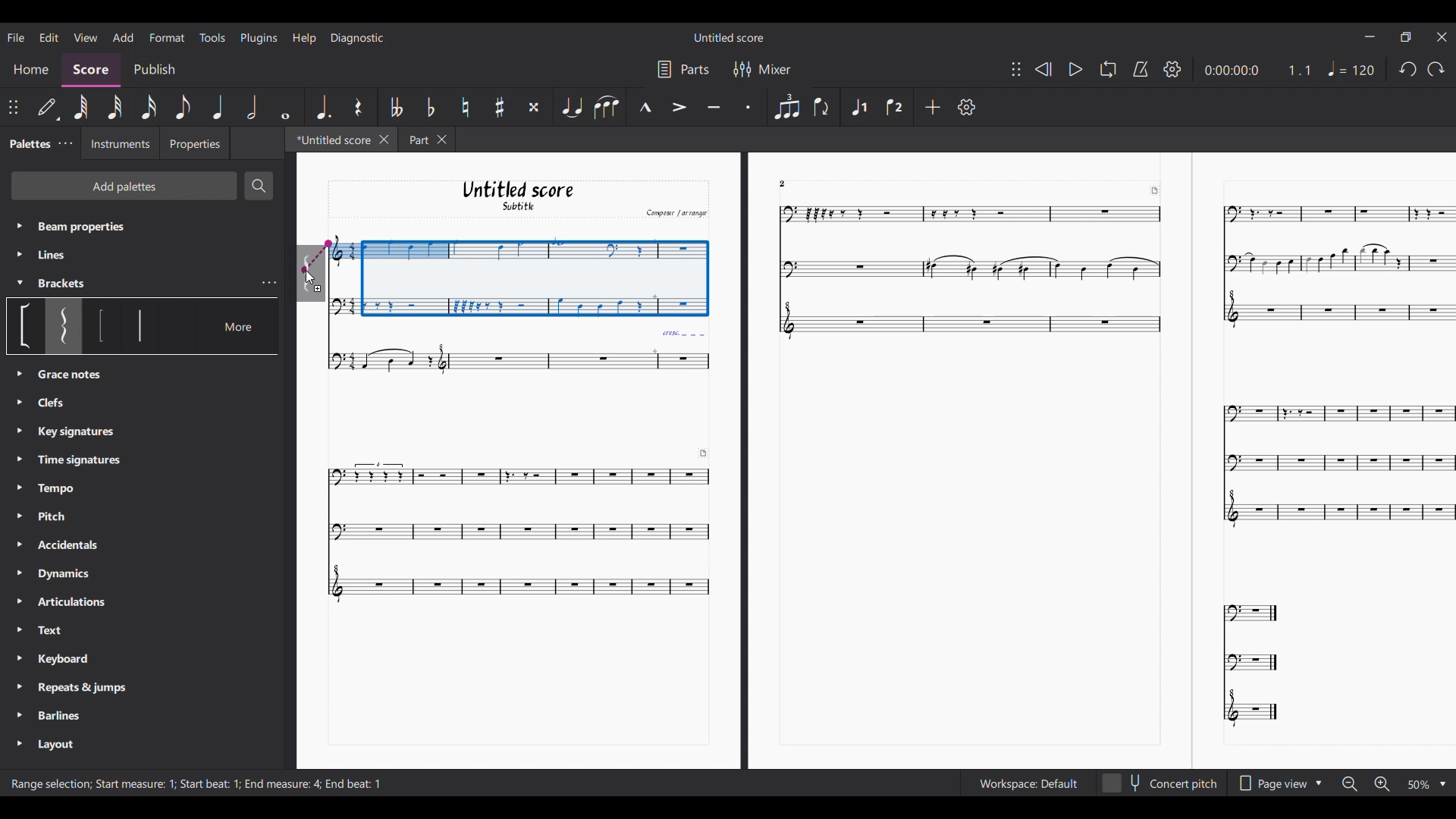  Describe the element at coordinates (18, 632) in the screenshot. I see `` at that location.